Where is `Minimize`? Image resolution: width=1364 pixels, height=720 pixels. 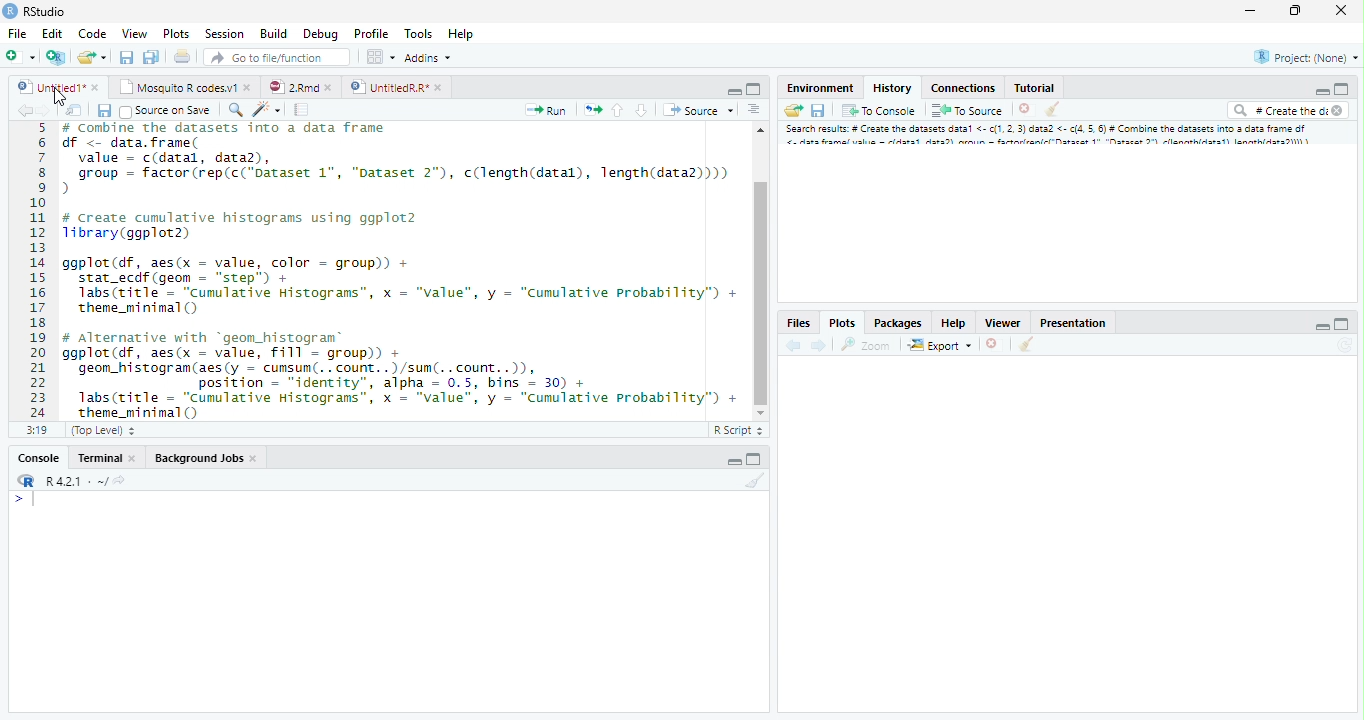
Minimize is located at coordinates (733, 91).